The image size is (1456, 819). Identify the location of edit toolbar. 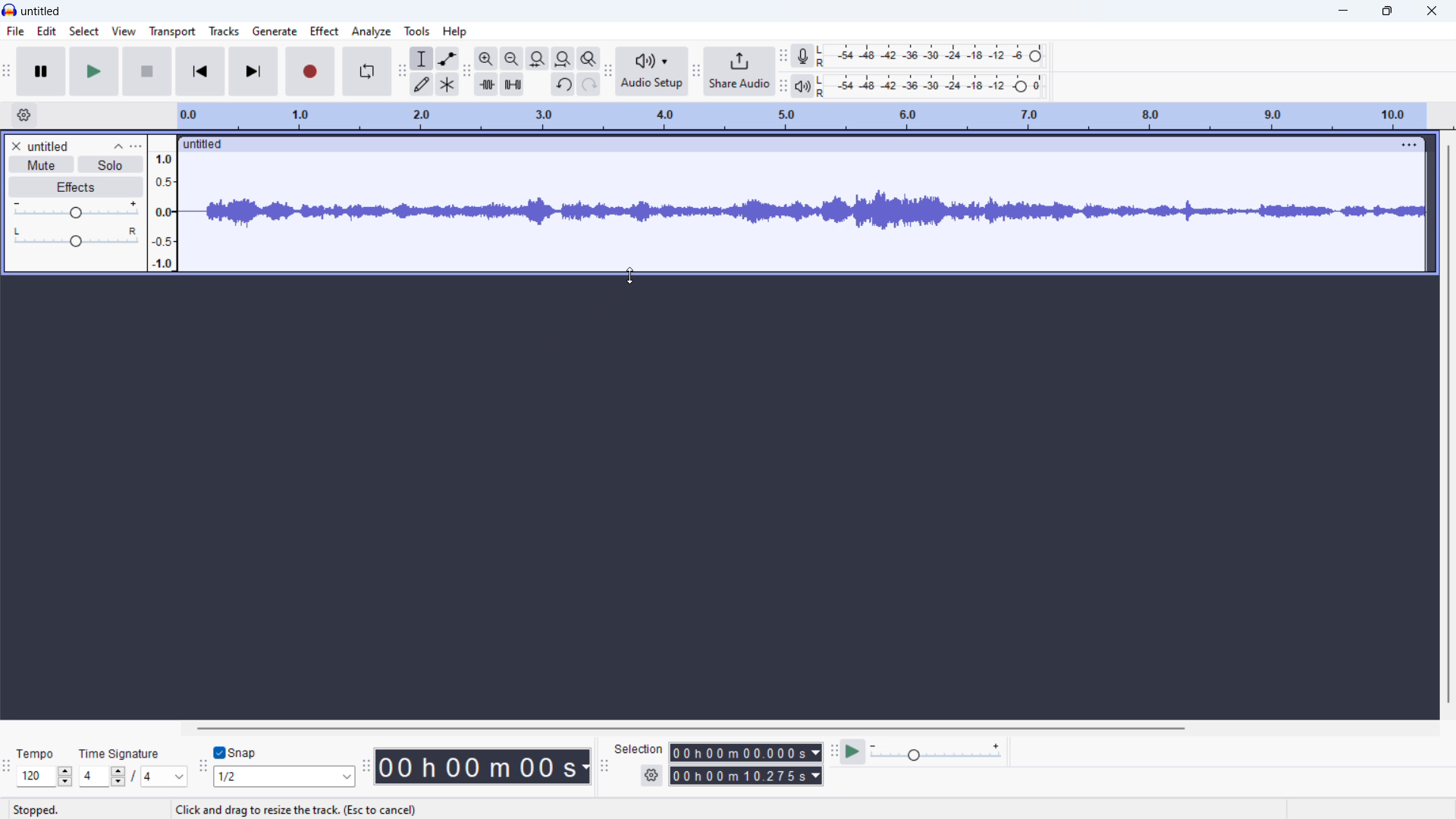
(467, 73).